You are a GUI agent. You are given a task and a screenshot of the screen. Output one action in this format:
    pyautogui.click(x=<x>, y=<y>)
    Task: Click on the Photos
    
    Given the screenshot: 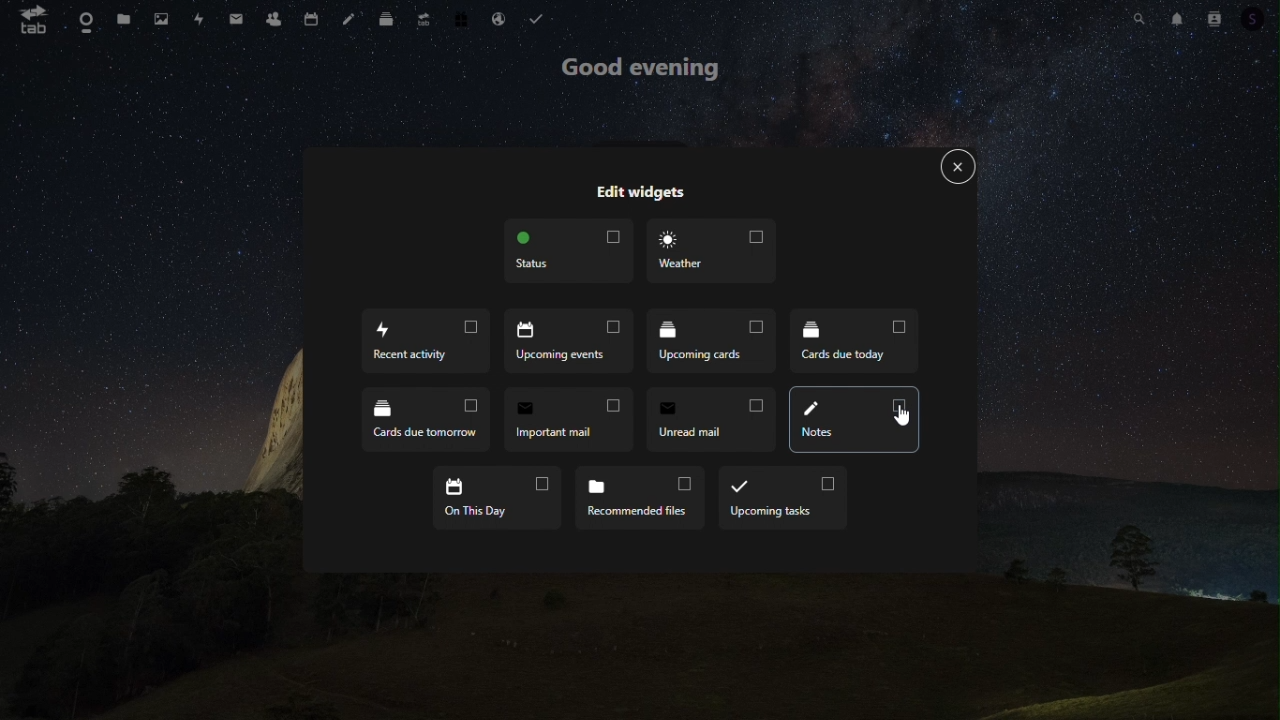 What is the action you would take?
    pyautogui.click(x=161, y=17)
    